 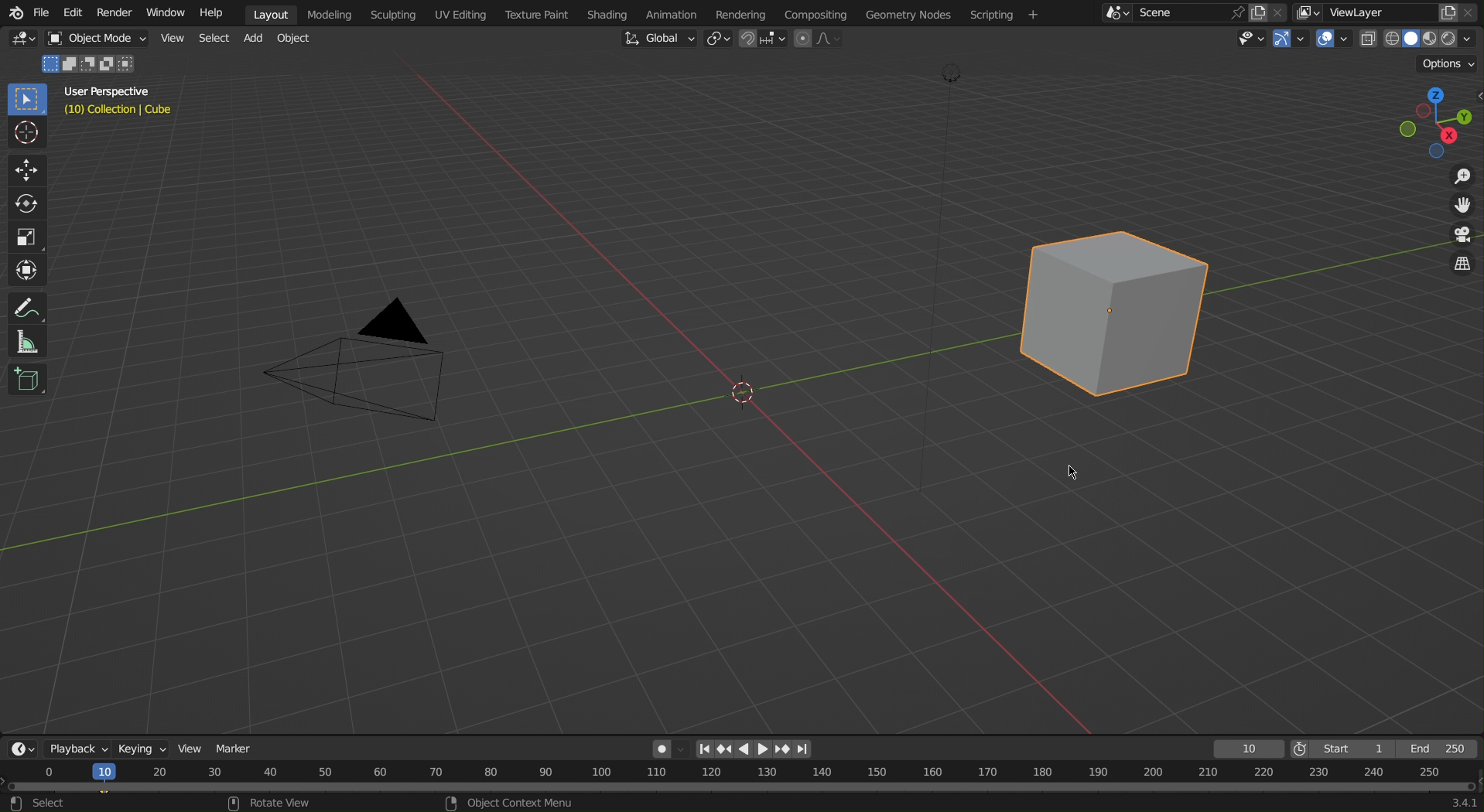 What do you see at coordinates (238, 745) in the screenshot?
I see `Marker` at bounding box center [238, 745].